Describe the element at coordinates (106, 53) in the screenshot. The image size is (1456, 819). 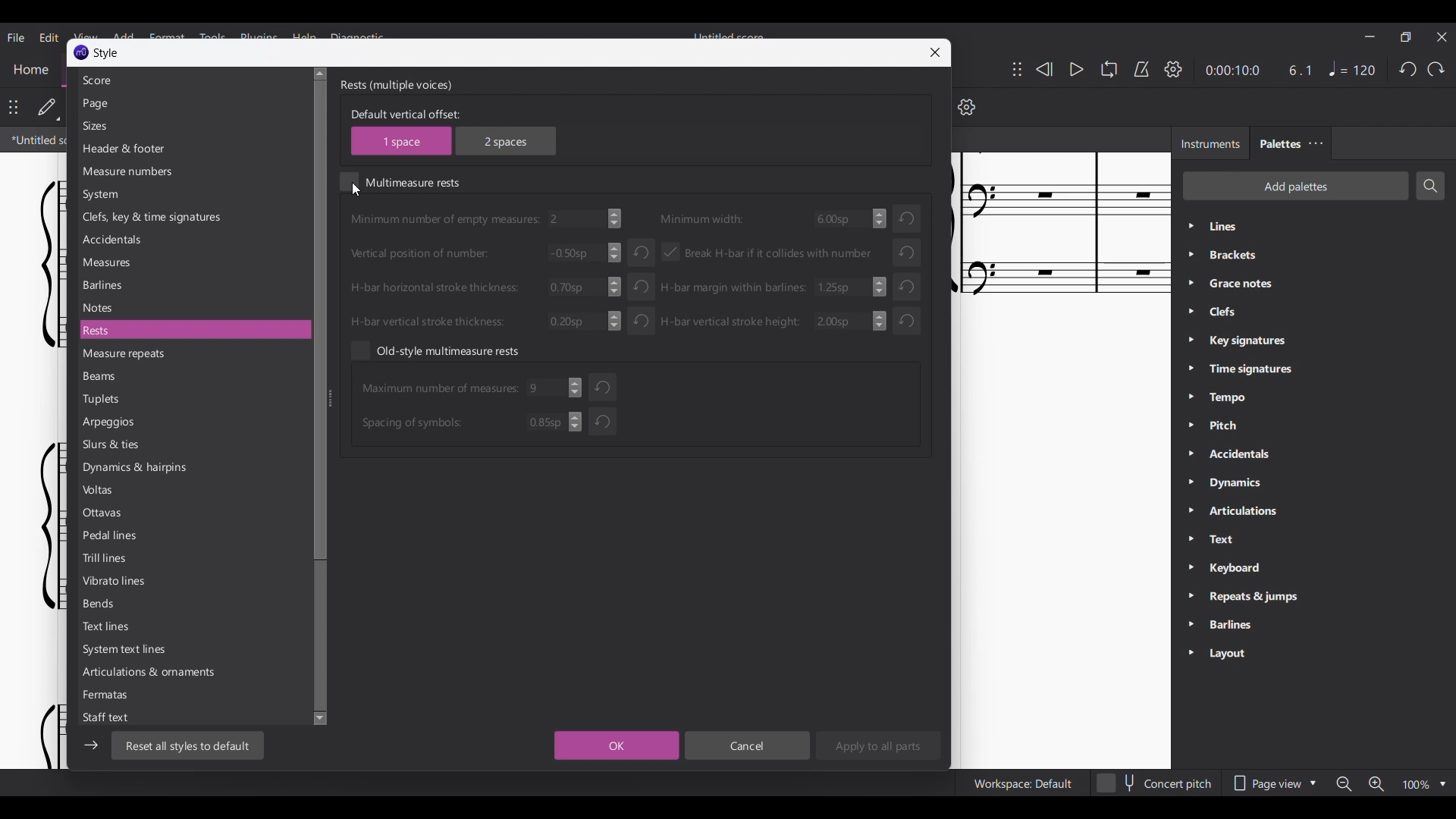
I see `Name of current window` at that location.